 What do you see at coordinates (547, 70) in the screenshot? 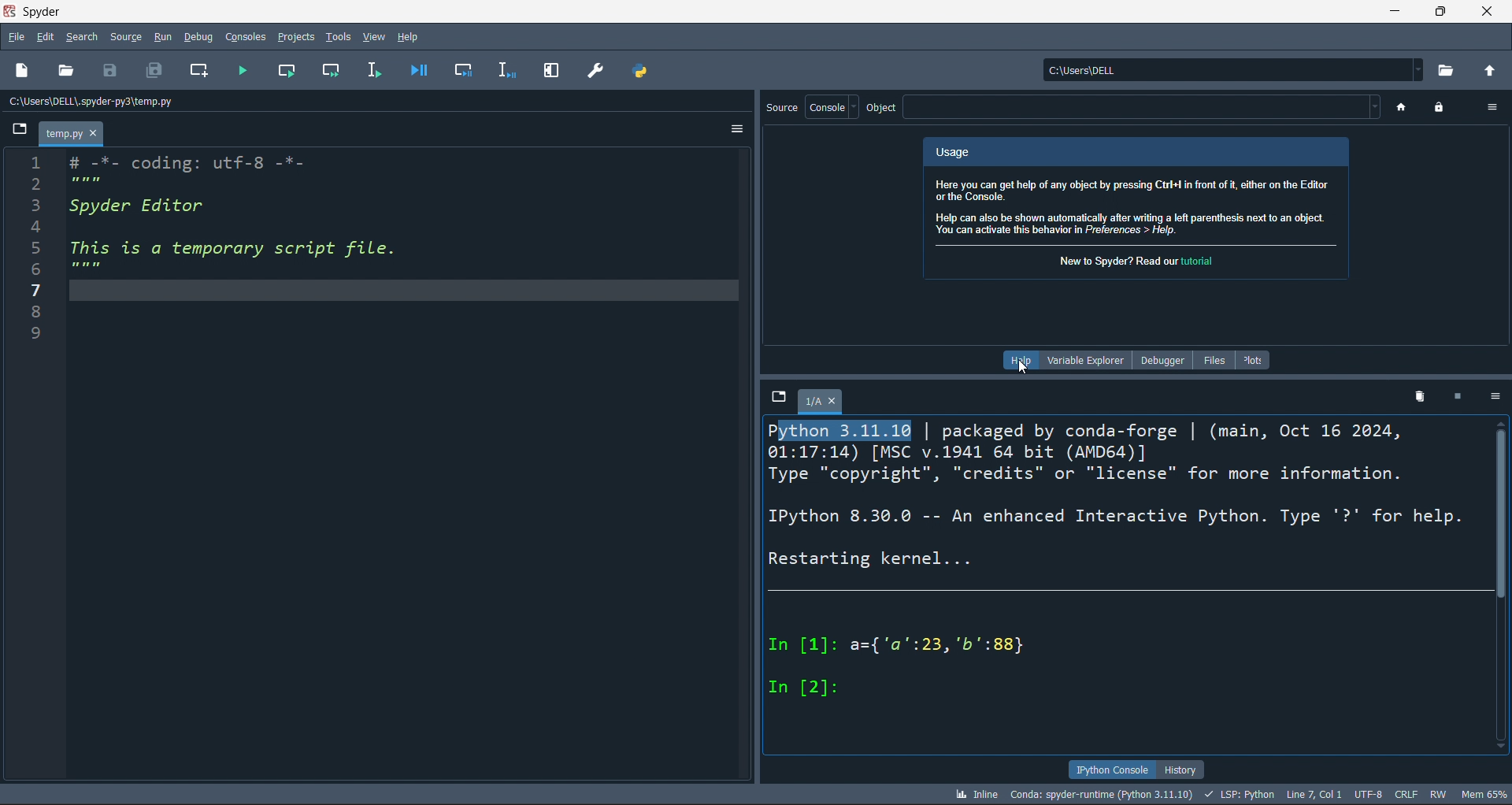
I see `expand pane` at bounding box center [547, 70].